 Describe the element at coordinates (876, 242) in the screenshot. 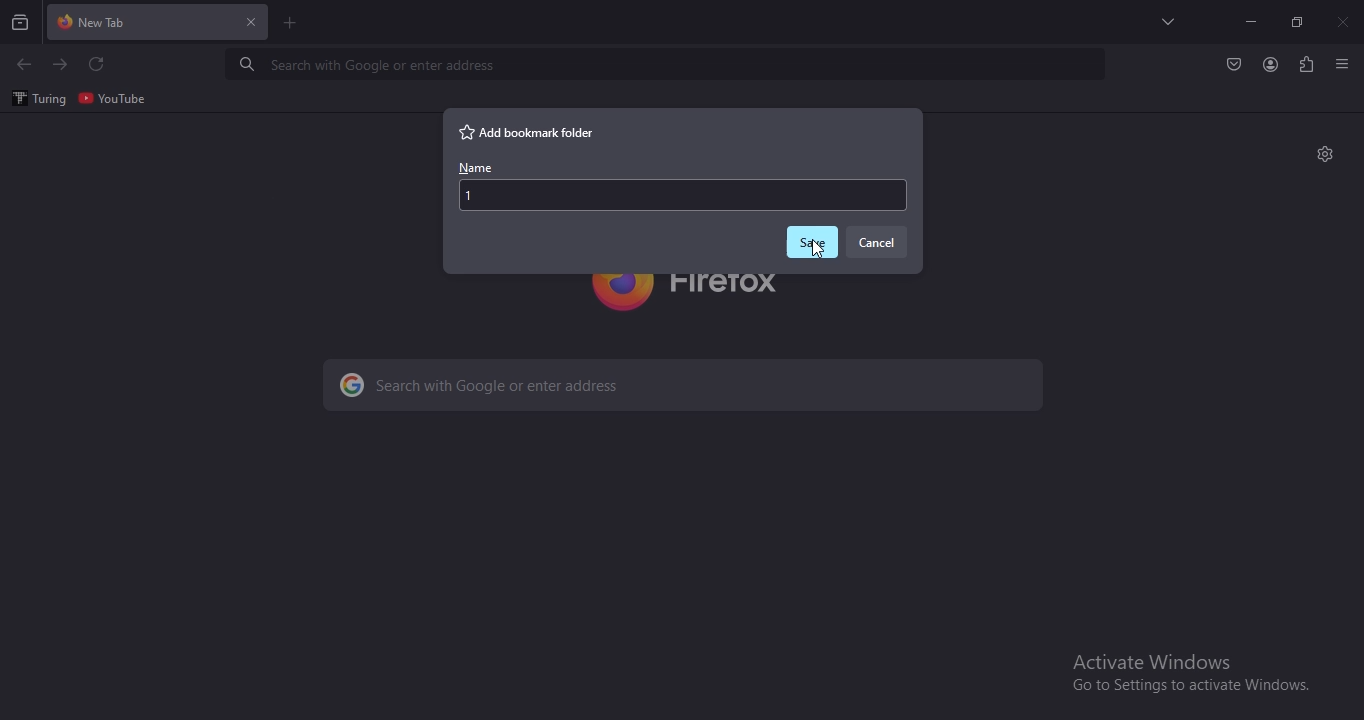

I see `cancel` at that location.